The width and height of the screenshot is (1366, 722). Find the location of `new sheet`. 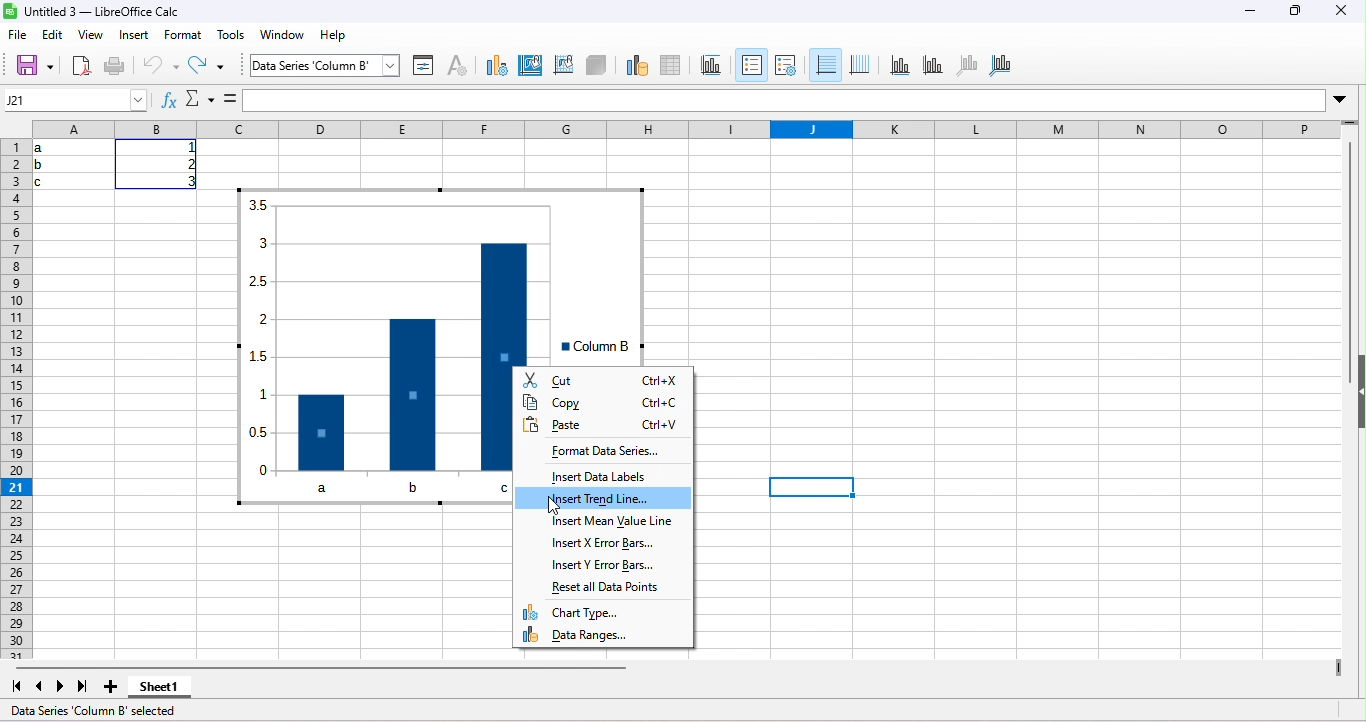

new sheet is located at coordinates (117, 689).